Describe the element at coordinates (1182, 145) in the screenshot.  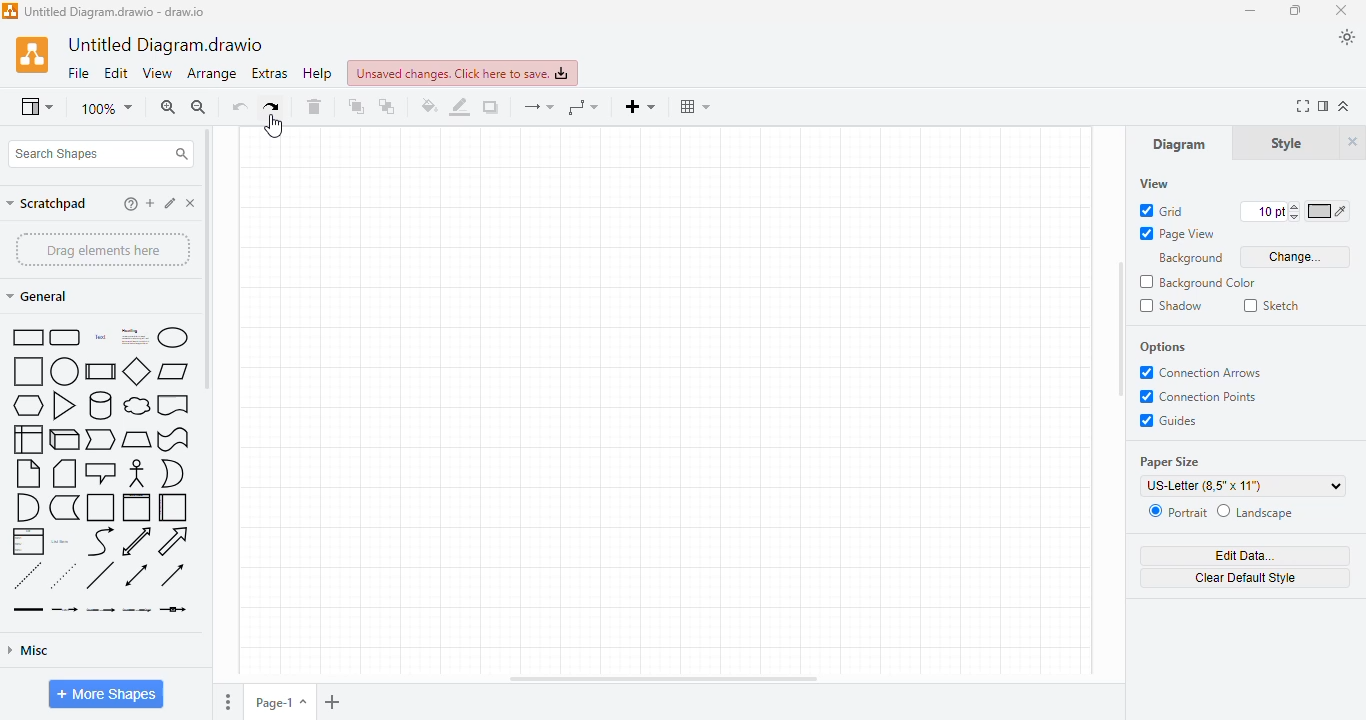
I see `diagram` at that location.